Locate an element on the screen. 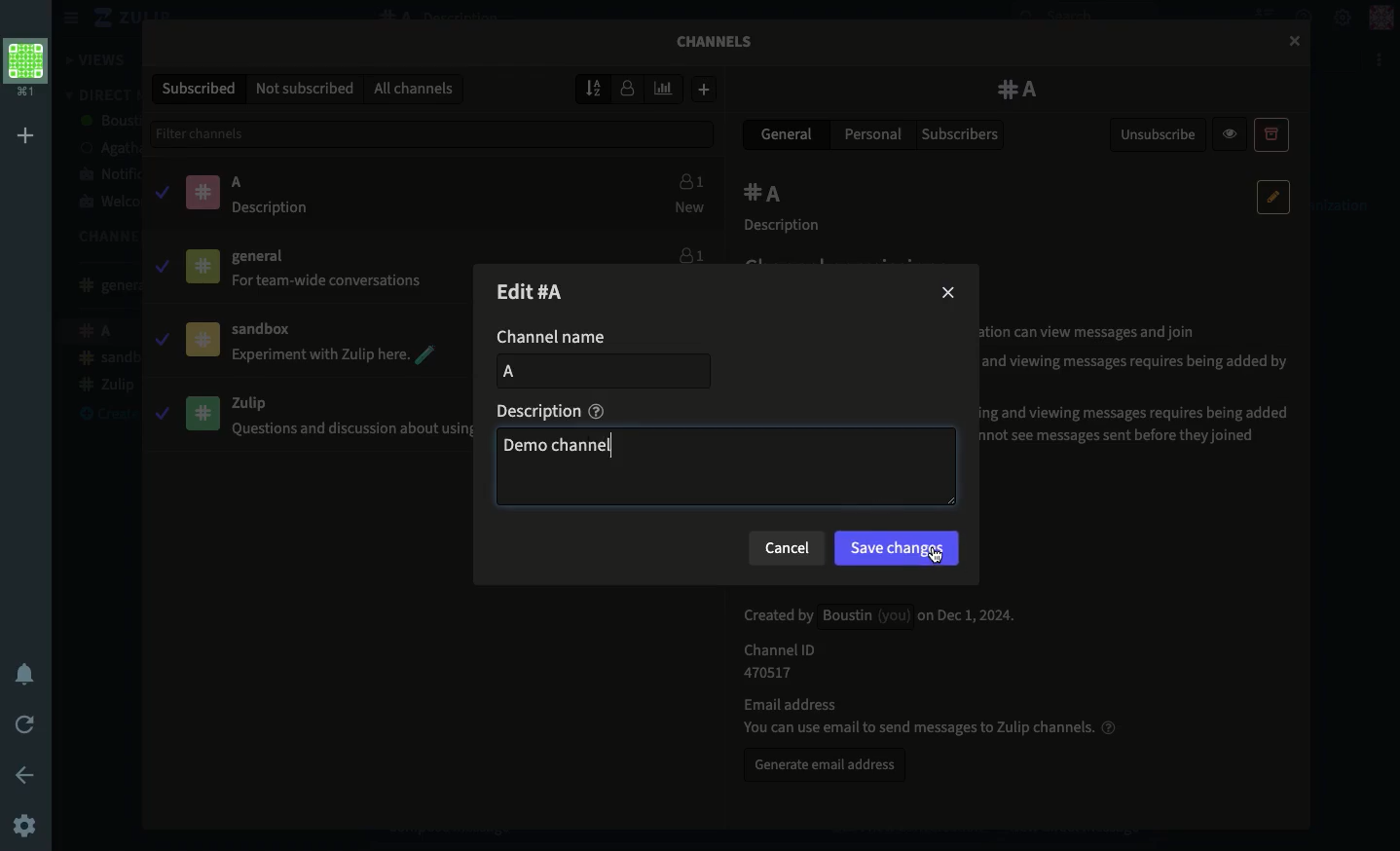 This screenshot has height=851, width=1400. Save changes is located at coordinates (899, 549).